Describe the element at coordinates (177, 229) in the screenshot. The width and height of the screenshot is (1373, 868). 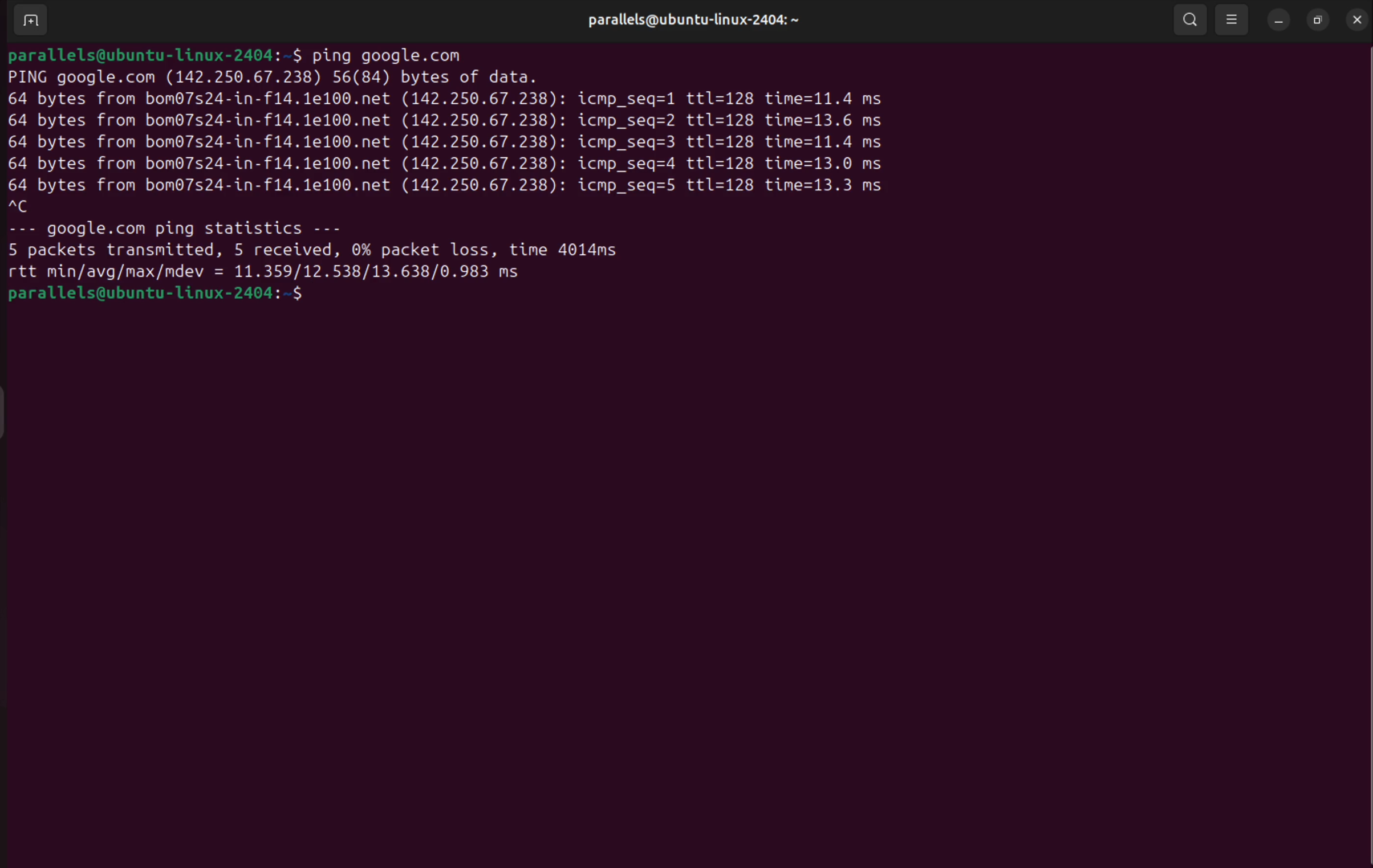
I see `googlr ping statictics` at that location.